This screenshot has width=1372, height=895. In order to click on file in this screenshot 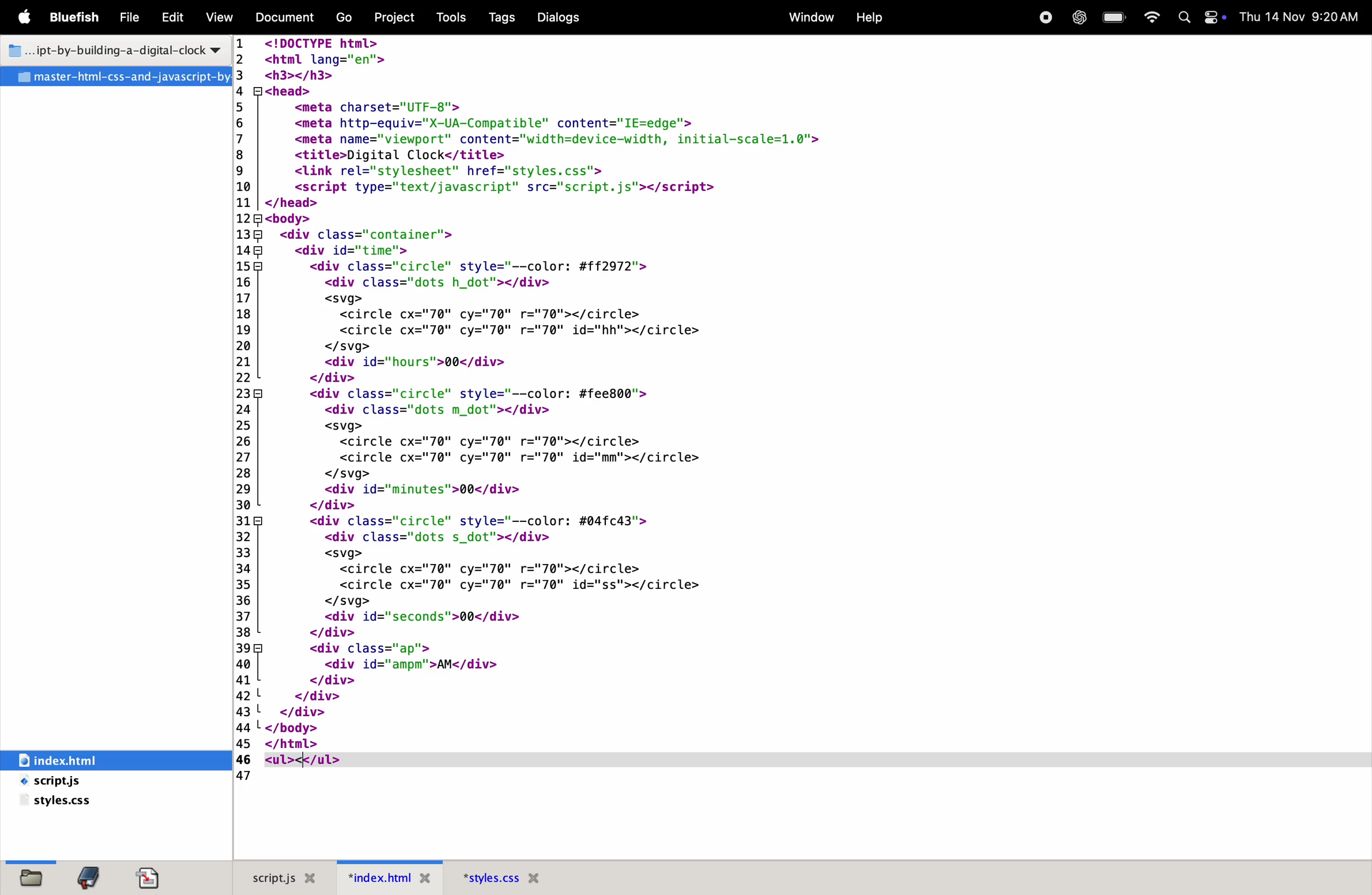, I will do `click(28, 877)`.